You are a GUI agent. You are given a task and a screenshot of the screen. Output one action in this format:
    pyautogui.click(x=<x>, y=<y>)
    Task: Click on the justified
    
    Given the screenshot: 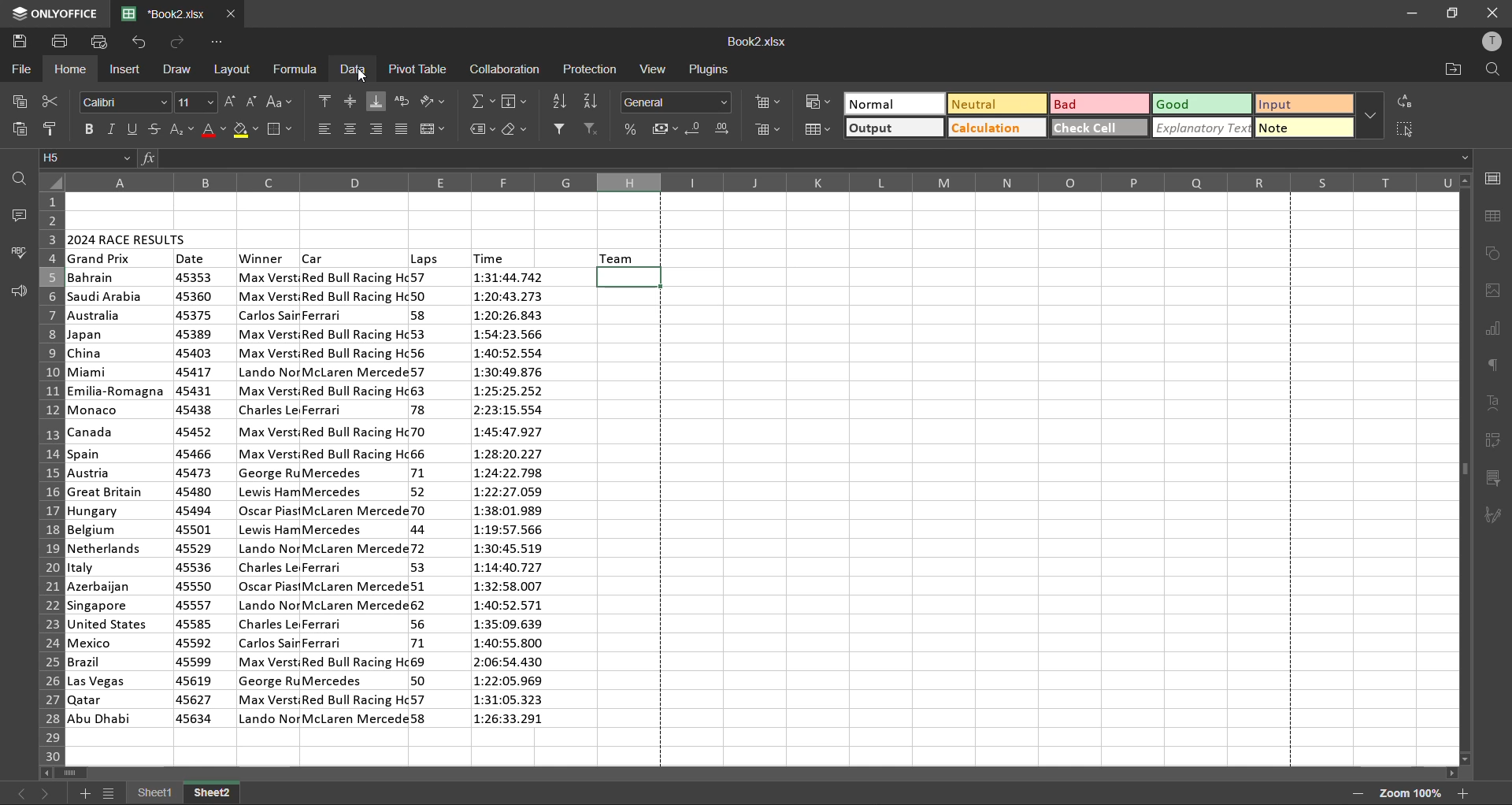 What is the action you would take?
    pyautogui.click(x=402, y=129)
    